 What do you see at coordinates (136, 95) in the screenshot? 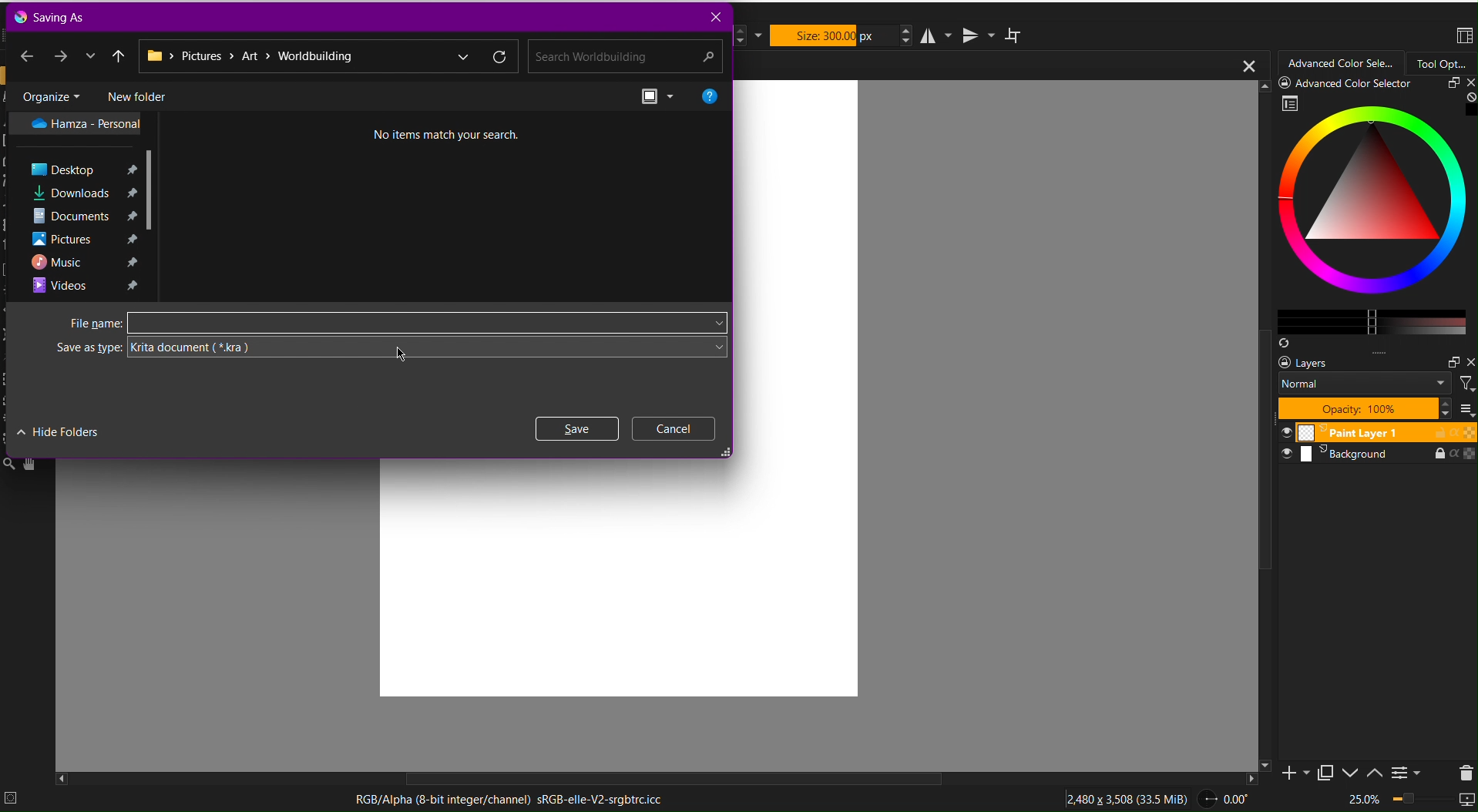
I see `New Folder` at bounding box center [136, 95].